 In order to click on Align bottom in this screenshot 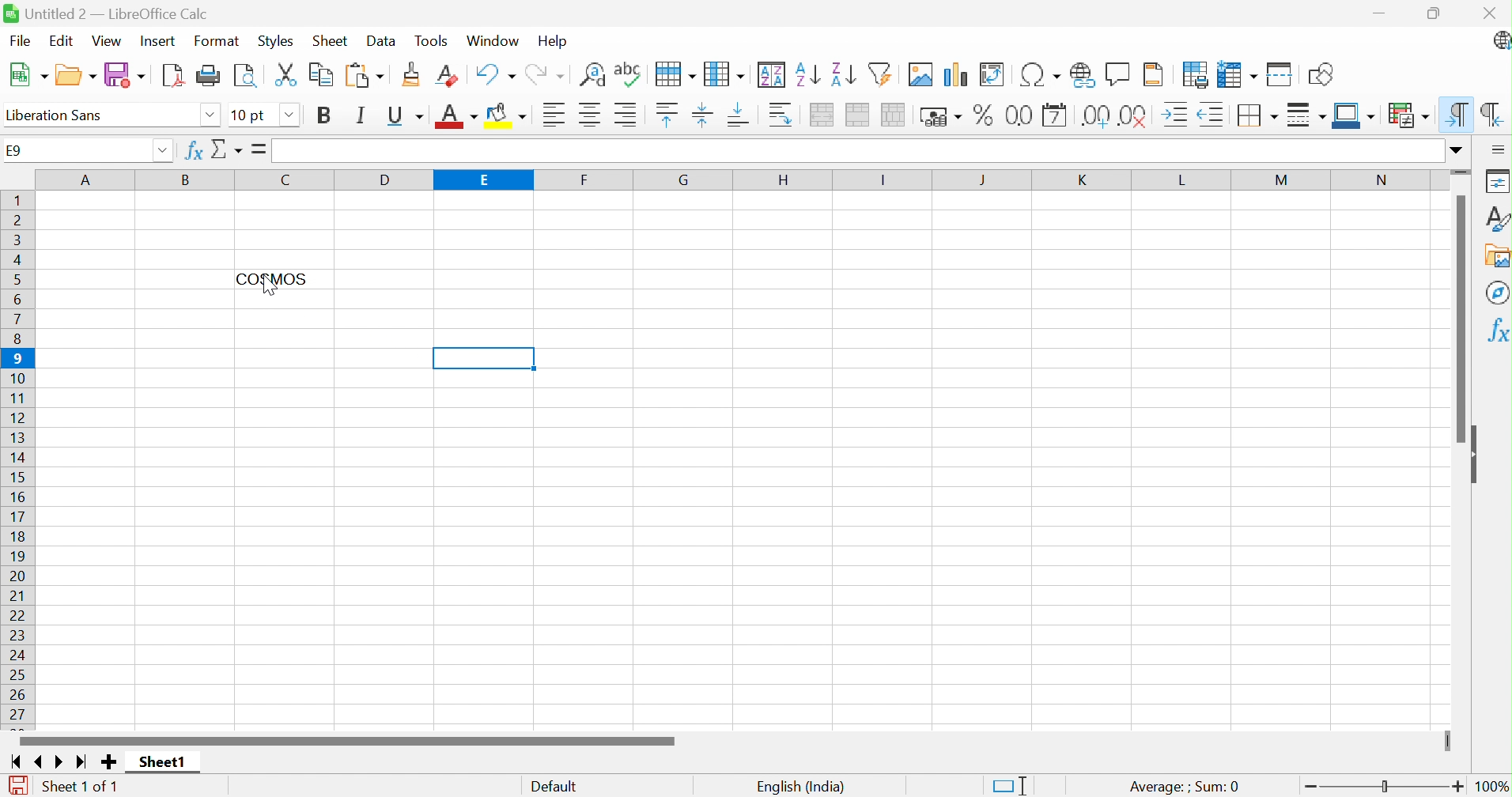, I will do `click(739, 116)`.